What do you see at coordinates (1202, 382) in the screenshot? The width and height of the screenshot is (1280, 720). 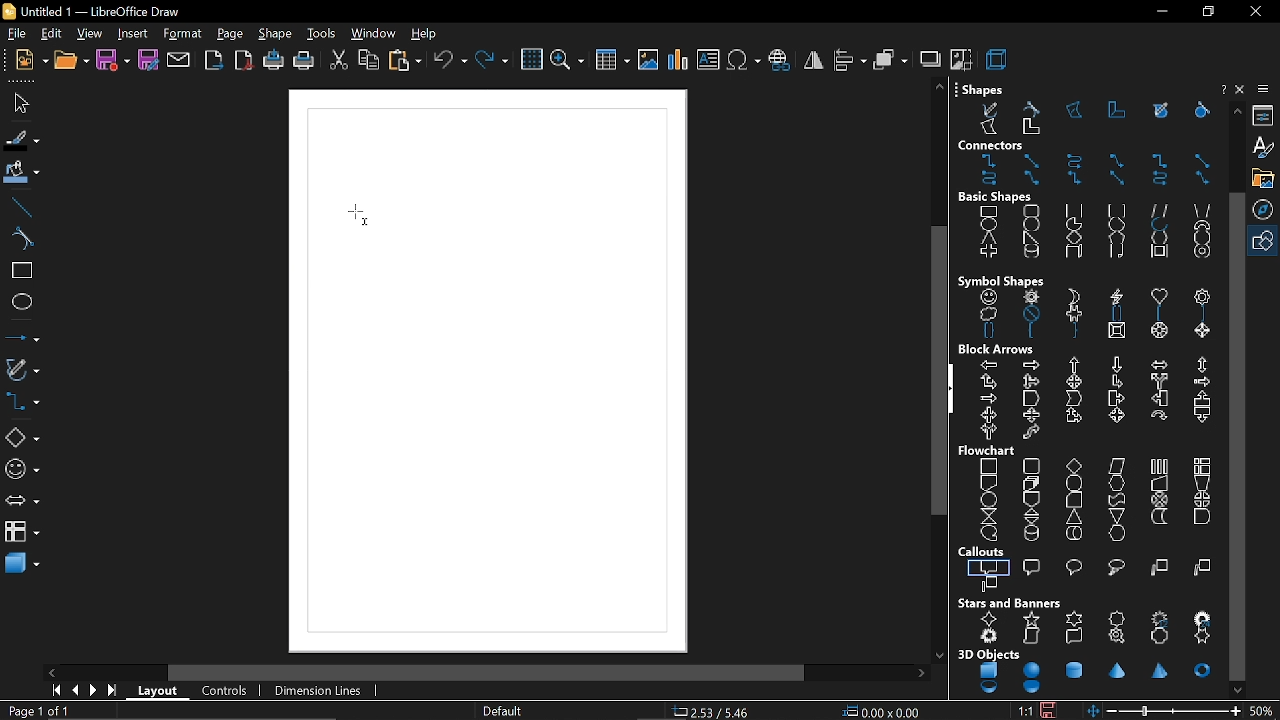 I see `striped right arrow` at bounding box center [1202, 382].